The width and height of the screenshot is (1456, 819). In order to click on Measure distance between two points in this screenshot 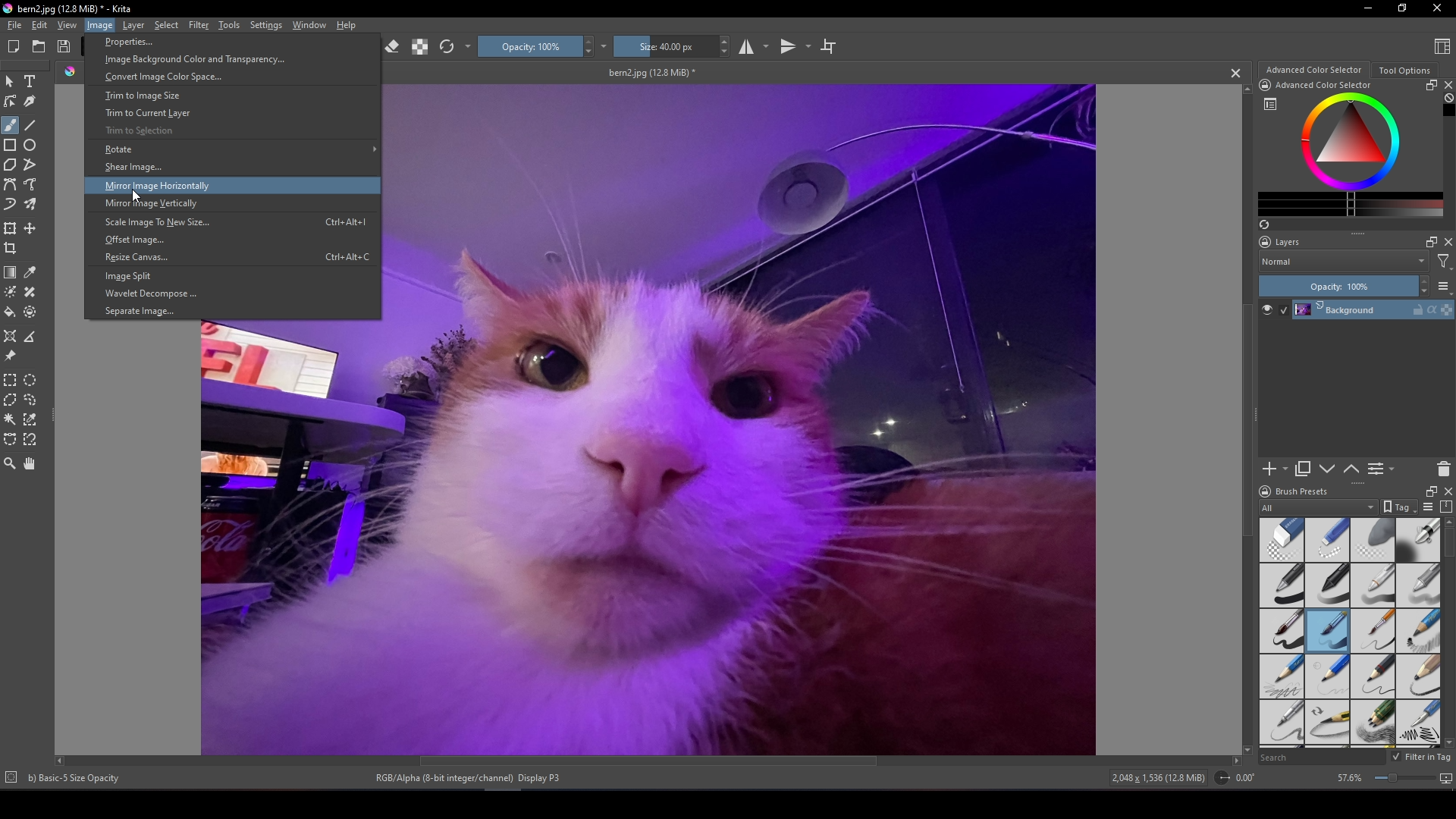, I will do `click(29, 337)`.